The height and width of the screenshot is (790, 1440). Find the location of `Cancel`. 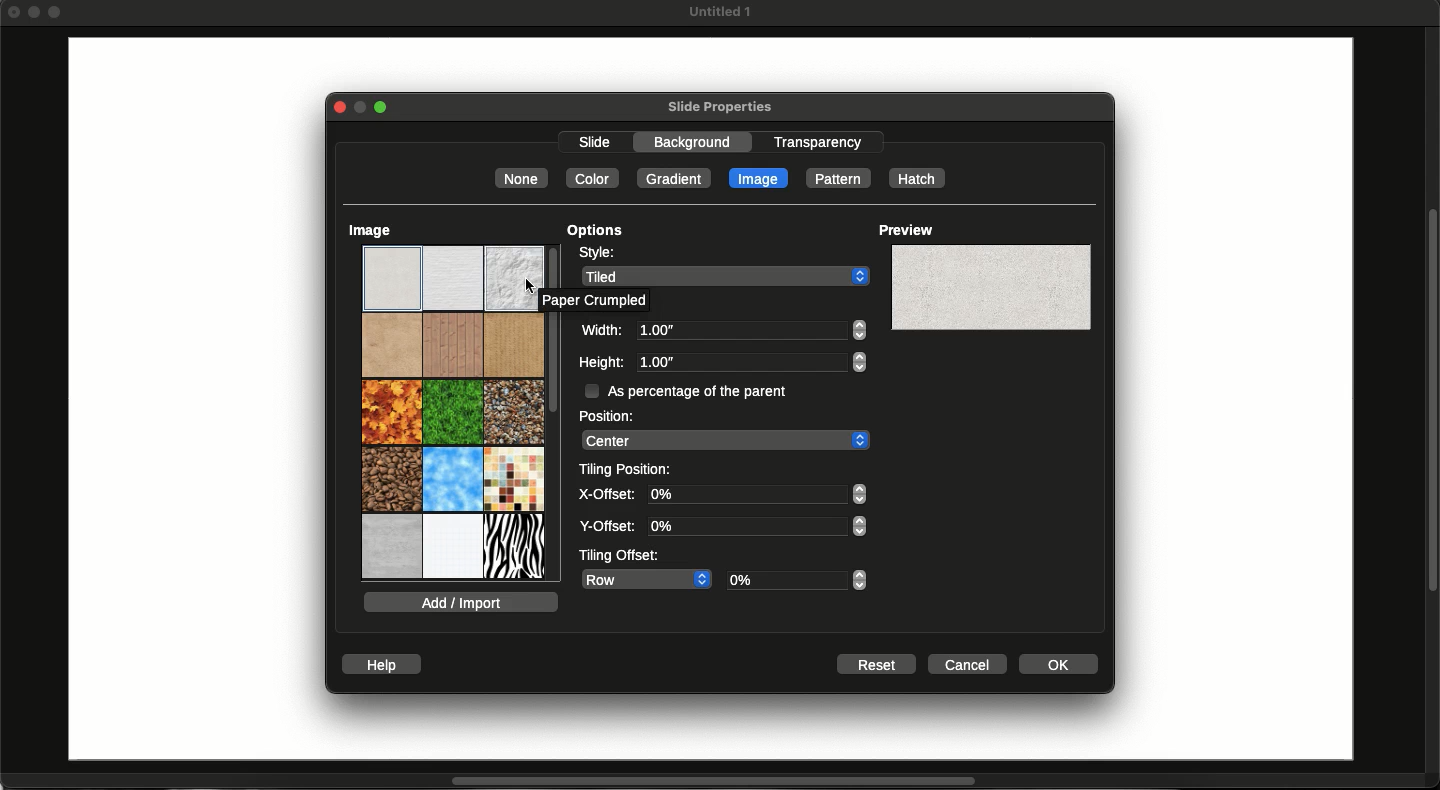

Cancel is located at coordinates (969, 664).